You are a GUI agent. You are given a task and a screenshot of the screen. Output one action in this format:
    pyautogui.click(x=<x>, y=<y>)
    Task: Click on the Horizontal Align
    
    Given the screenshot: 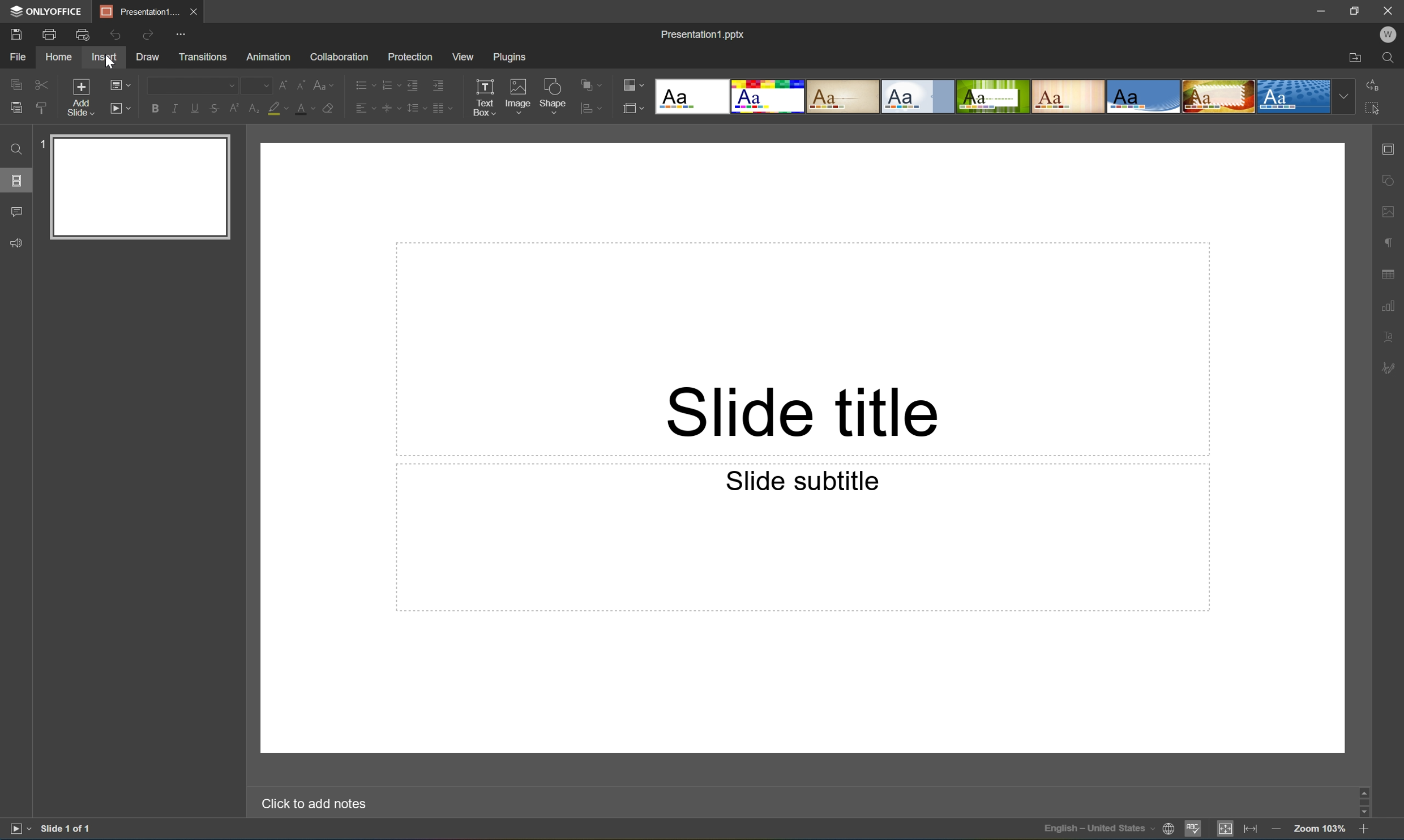 What is the action you would take?
    pyautogui.click(x=365, y=108)
    